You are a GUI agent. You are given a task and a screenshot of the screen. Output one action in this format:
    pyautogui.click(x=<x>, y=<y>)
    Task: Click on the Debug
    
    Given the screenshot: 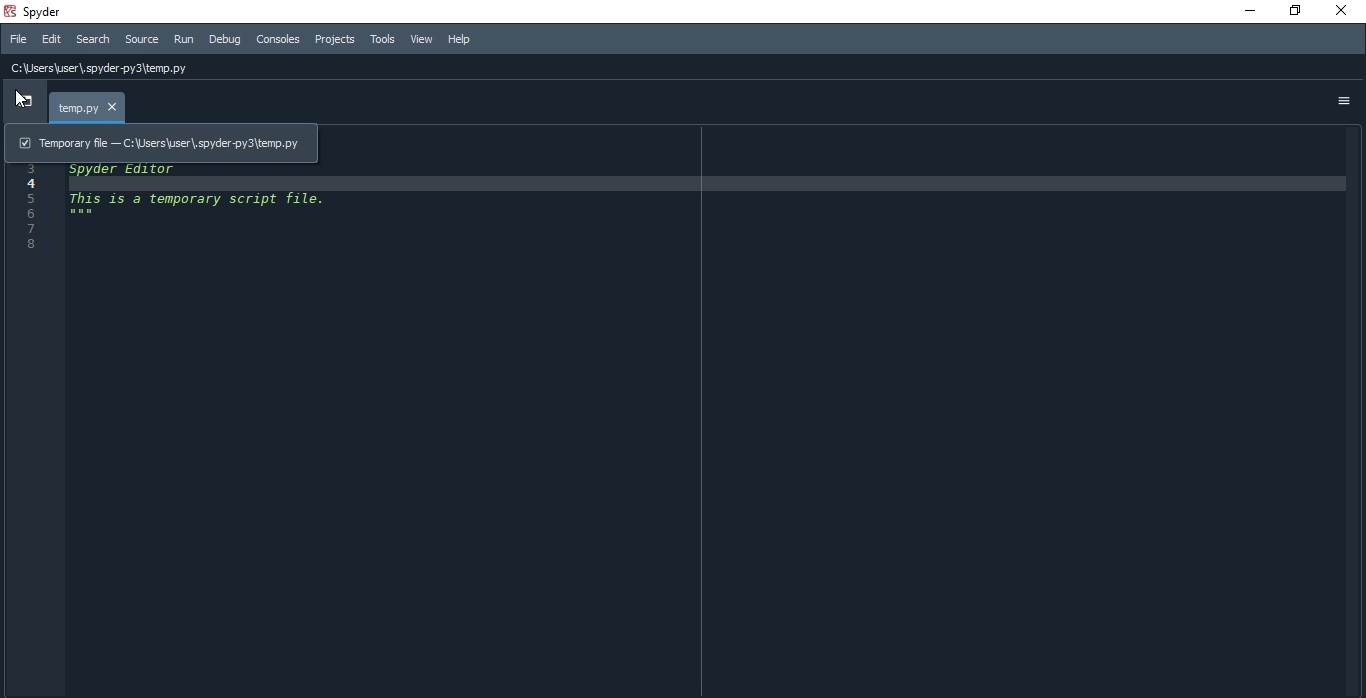 What is the action you would take?
    pyautogui.click(x=225, y=40)
    